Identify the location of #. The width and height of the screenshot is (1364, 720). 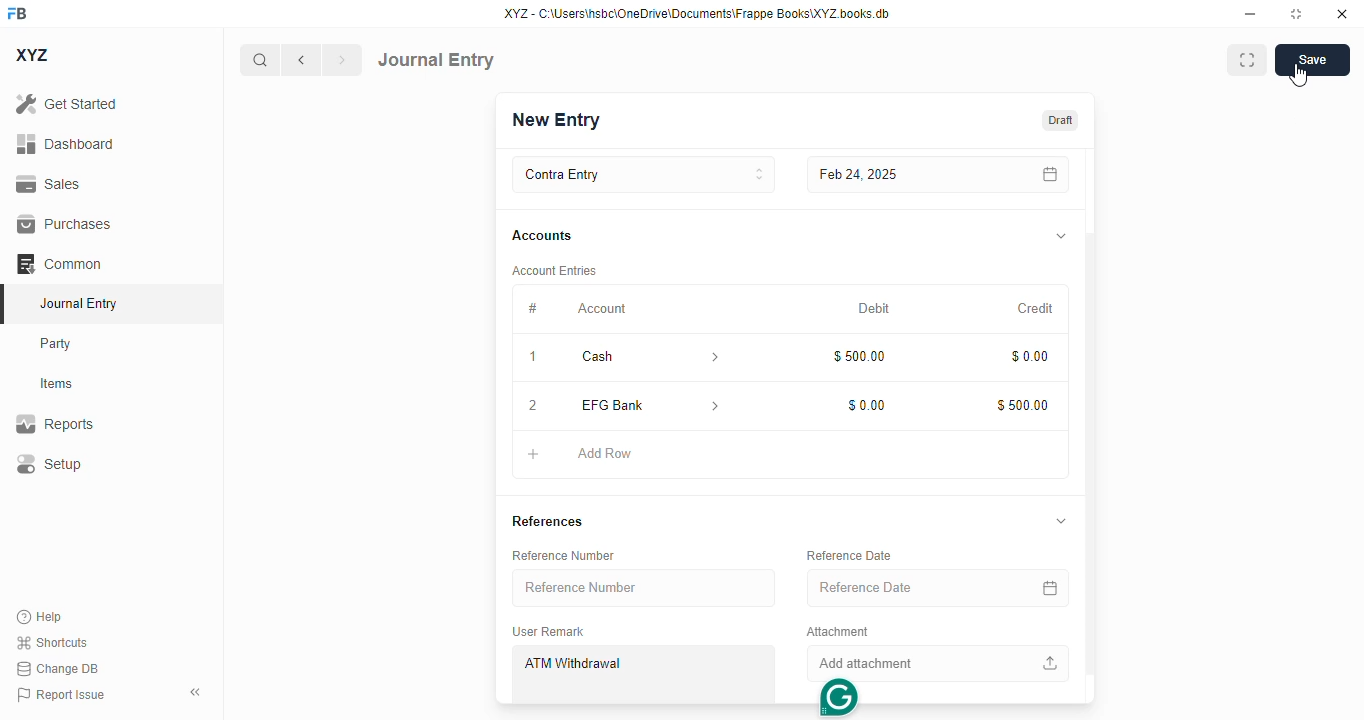
(532, 310).